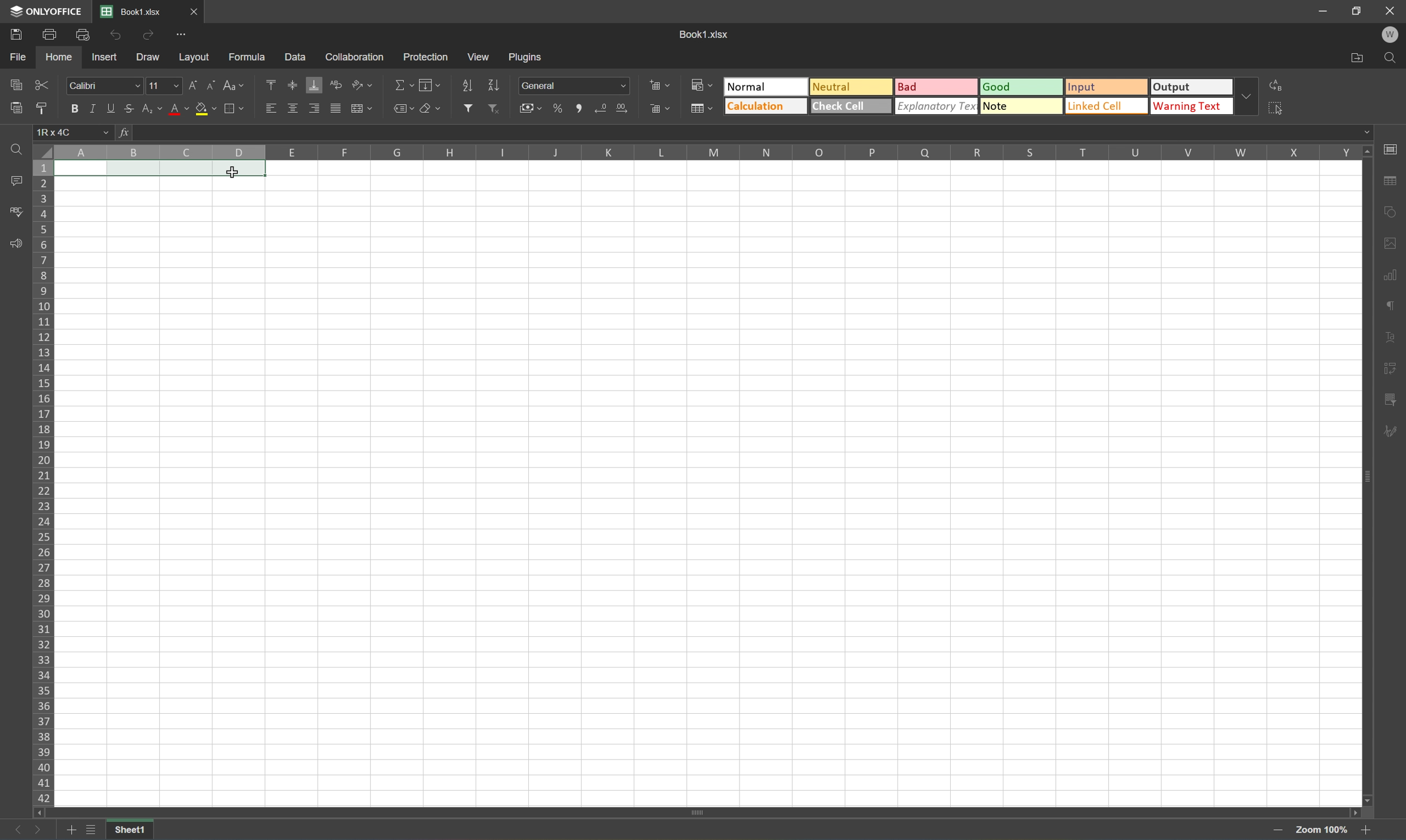 This screenshot has width=1406, height=840. Describe the element at coordinates (1324, 11) in the screenshot. I see `Minimize` at that location.